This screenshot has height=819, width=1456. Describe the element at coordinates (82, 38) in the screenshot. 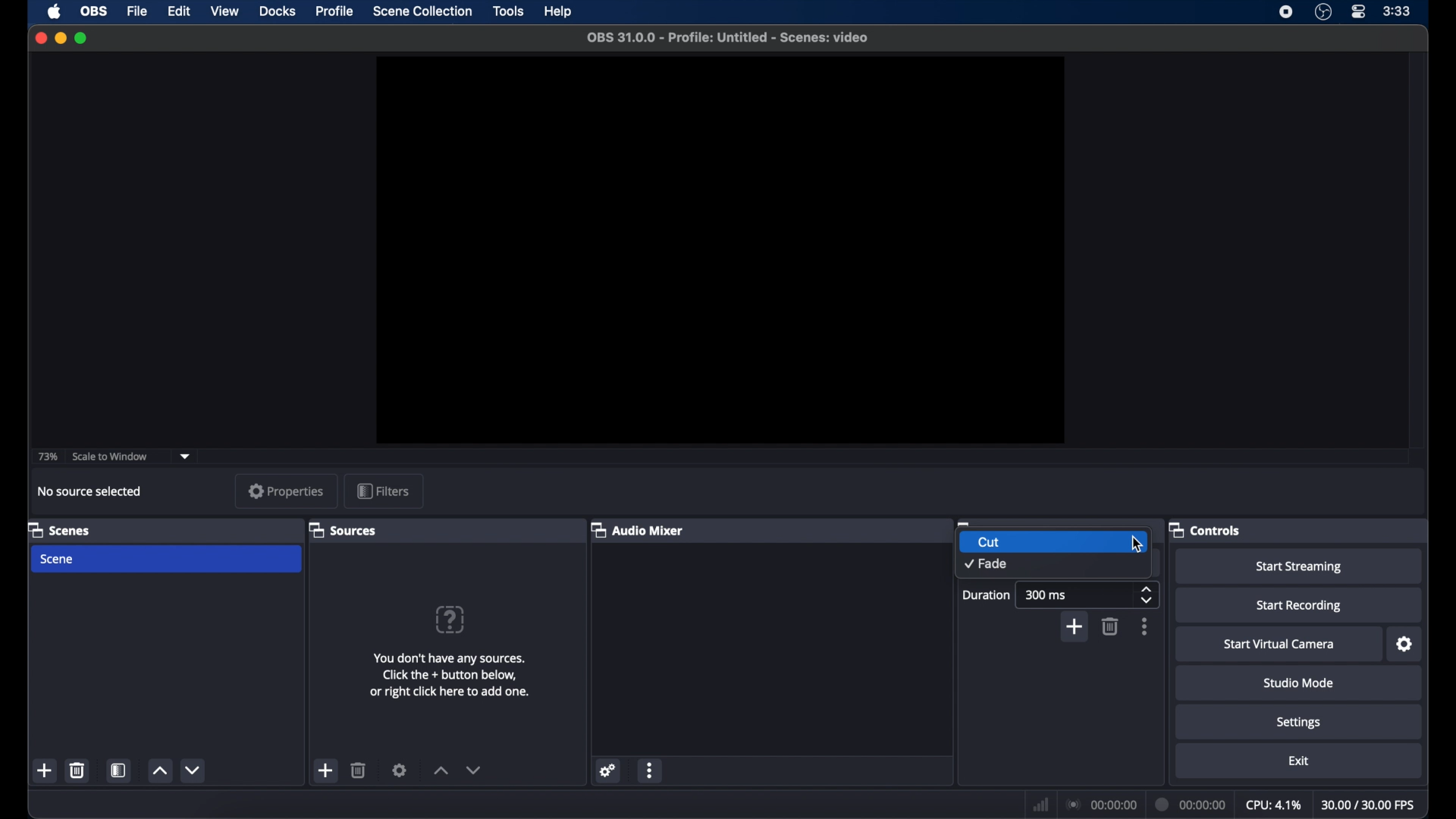

I see `maximize` at that location.